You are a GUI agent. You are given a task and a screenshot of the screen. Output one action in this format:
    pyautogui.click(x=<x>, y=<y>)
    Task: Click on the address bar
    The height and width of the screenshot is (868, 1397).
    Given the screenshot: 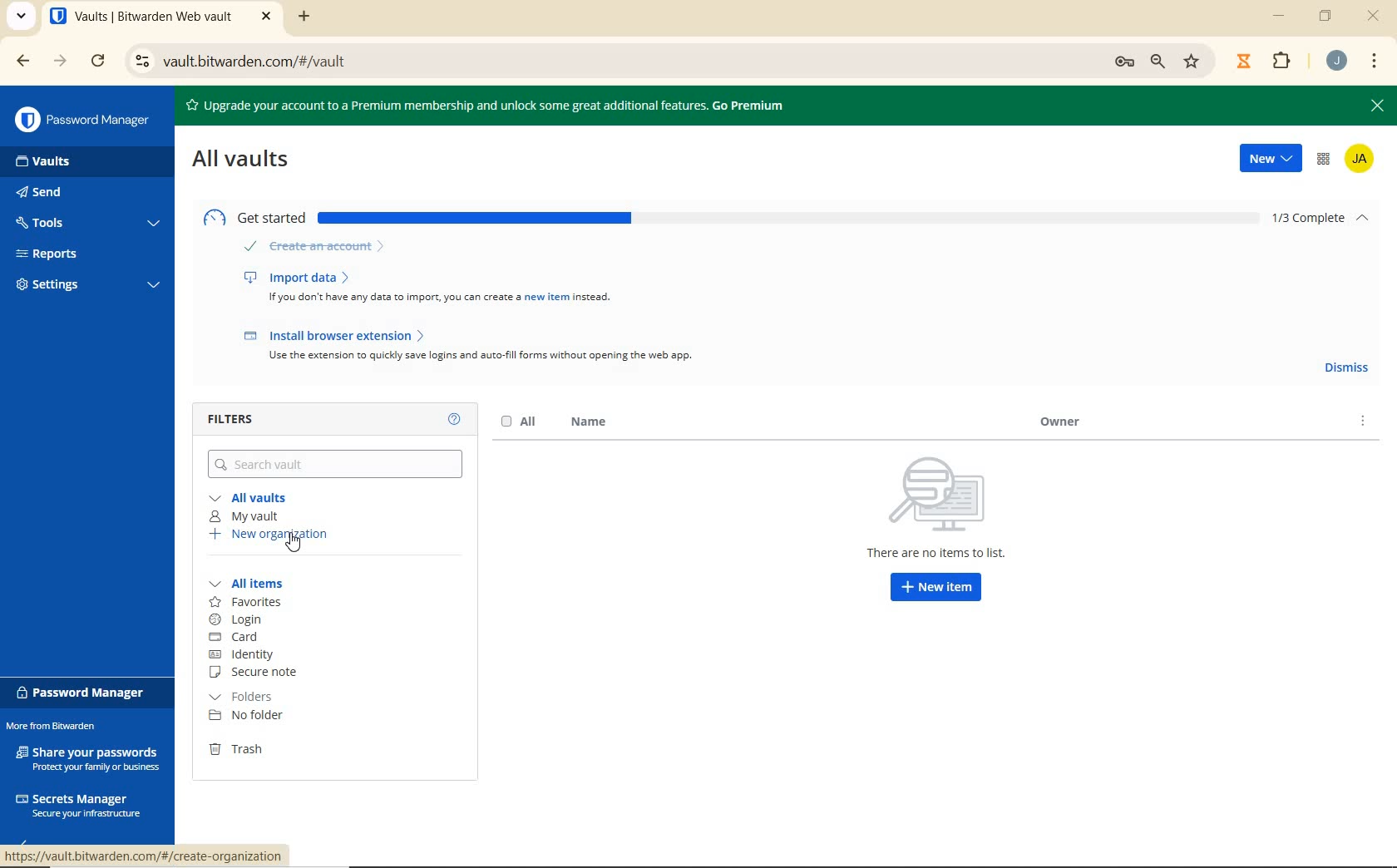 What is the action you would take?
    pyautogui.click(x=604, y=62)
    